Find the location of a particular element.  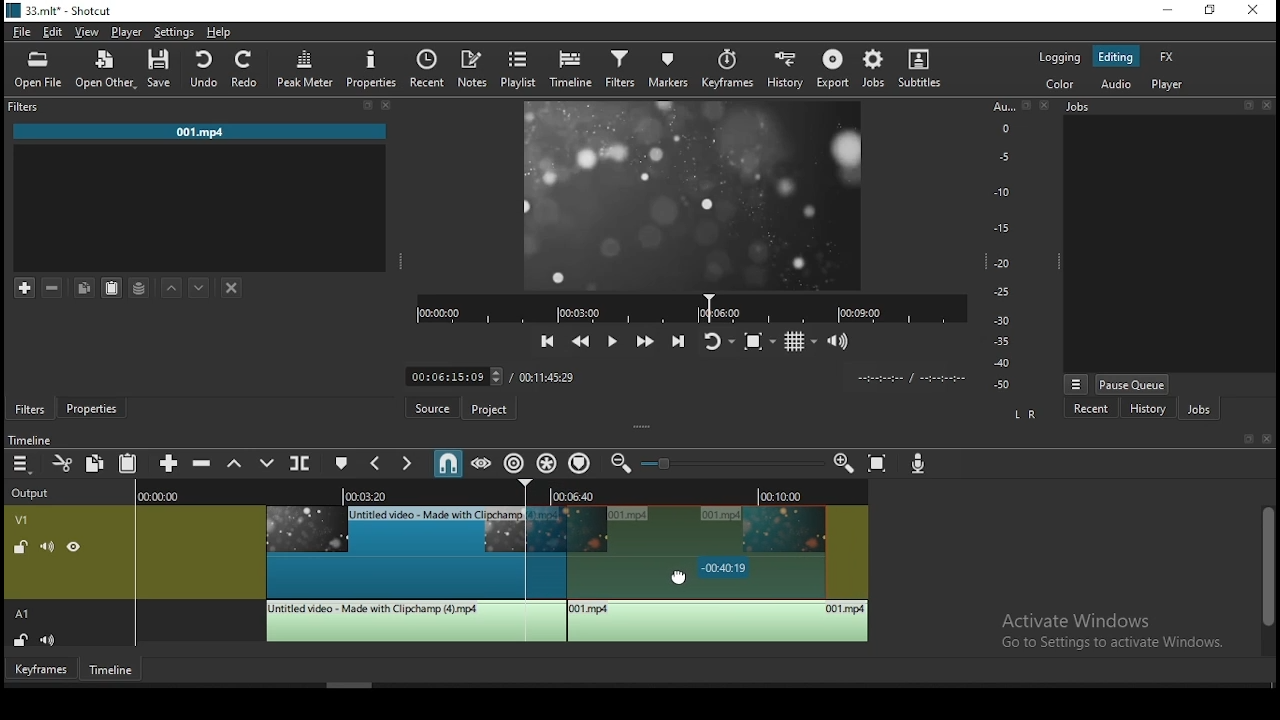

project is located at coordinates (486, 410).